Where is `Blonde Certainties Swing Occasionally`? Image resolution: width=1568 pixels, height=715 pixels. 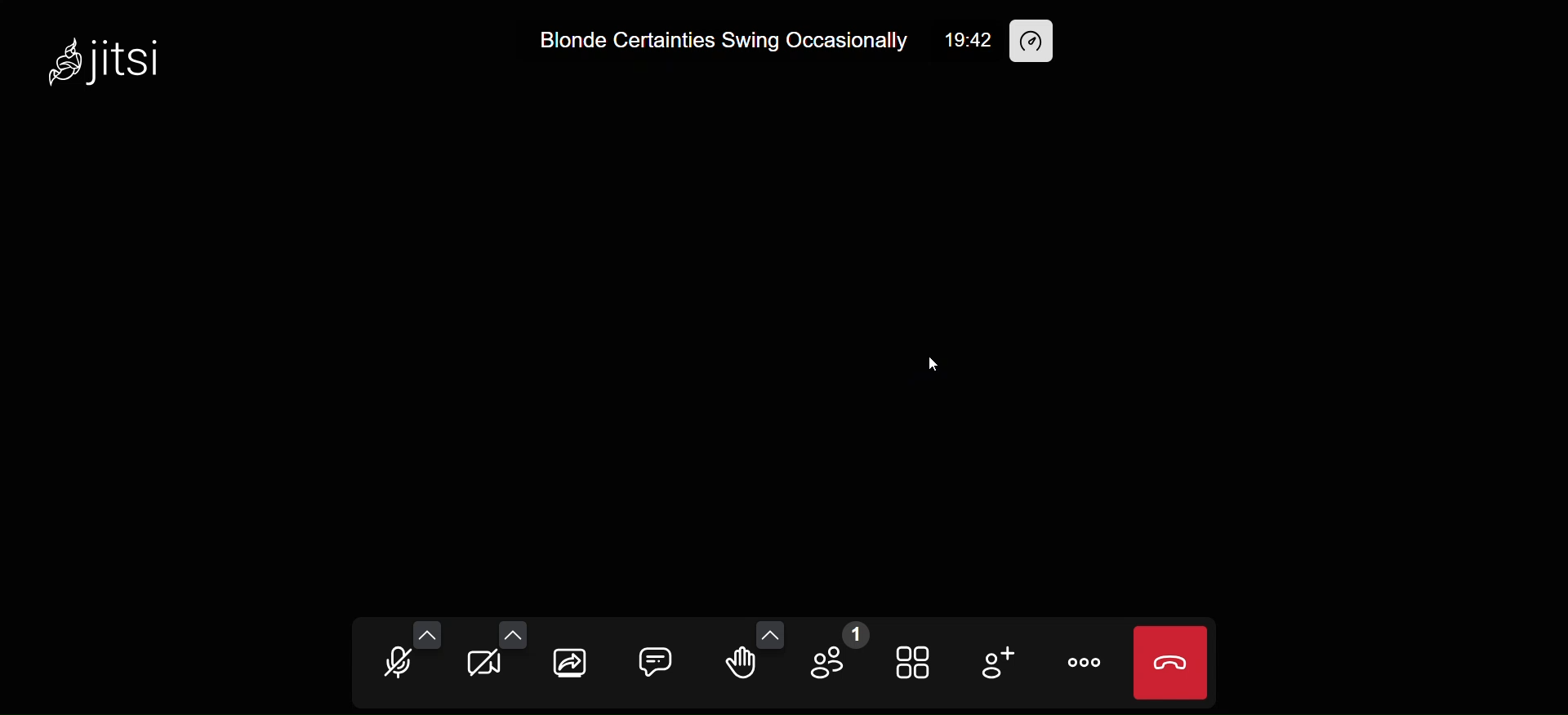 Blonde Certainties Swing Occasionally is located at coordinates (717, 41).